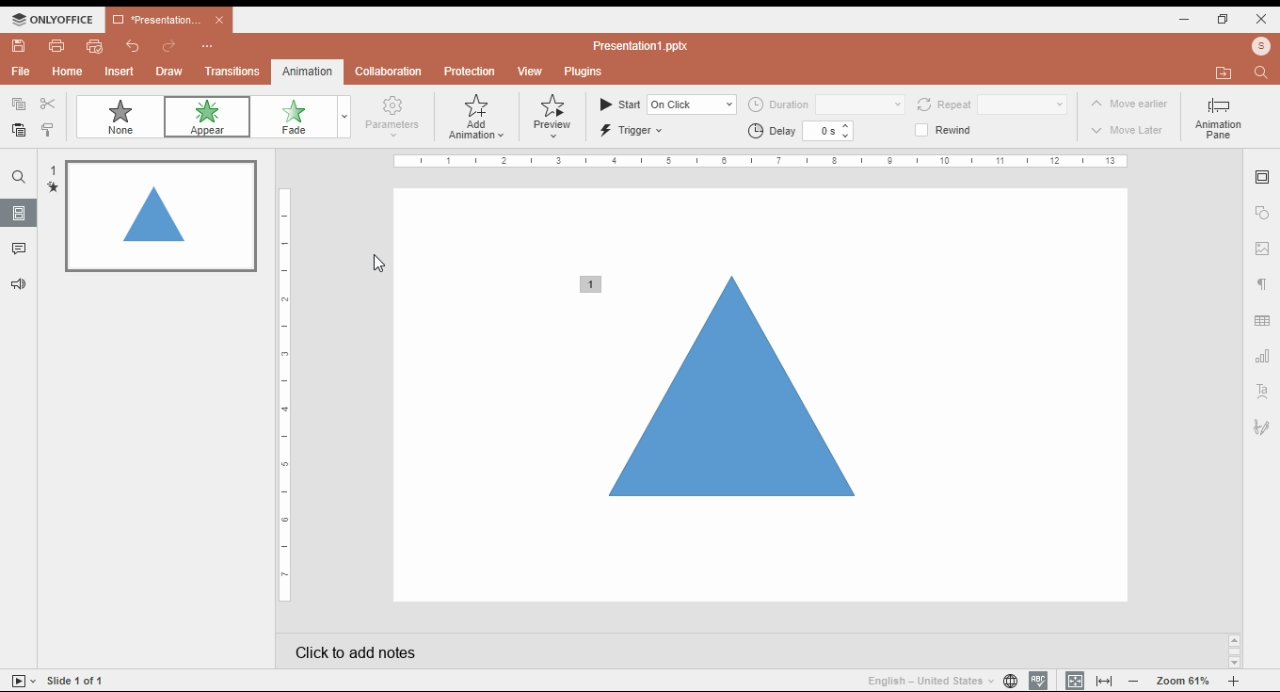  Describe the element at coordinates (389, 73) in the screenshot. I see `collaboration` at that location.